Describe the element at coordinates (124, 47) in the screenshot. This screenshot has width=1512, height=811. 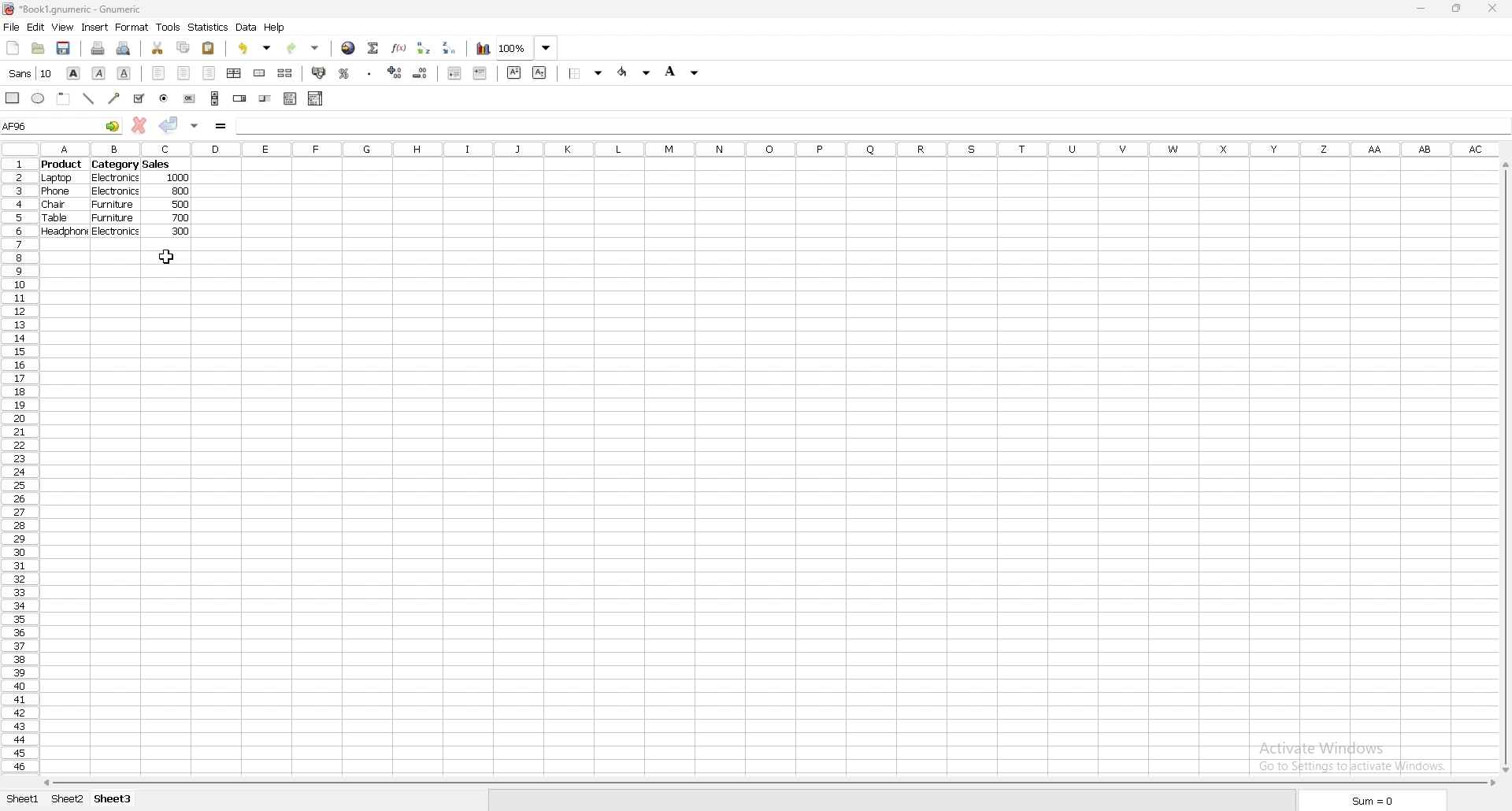
I see `print preview` at that location.